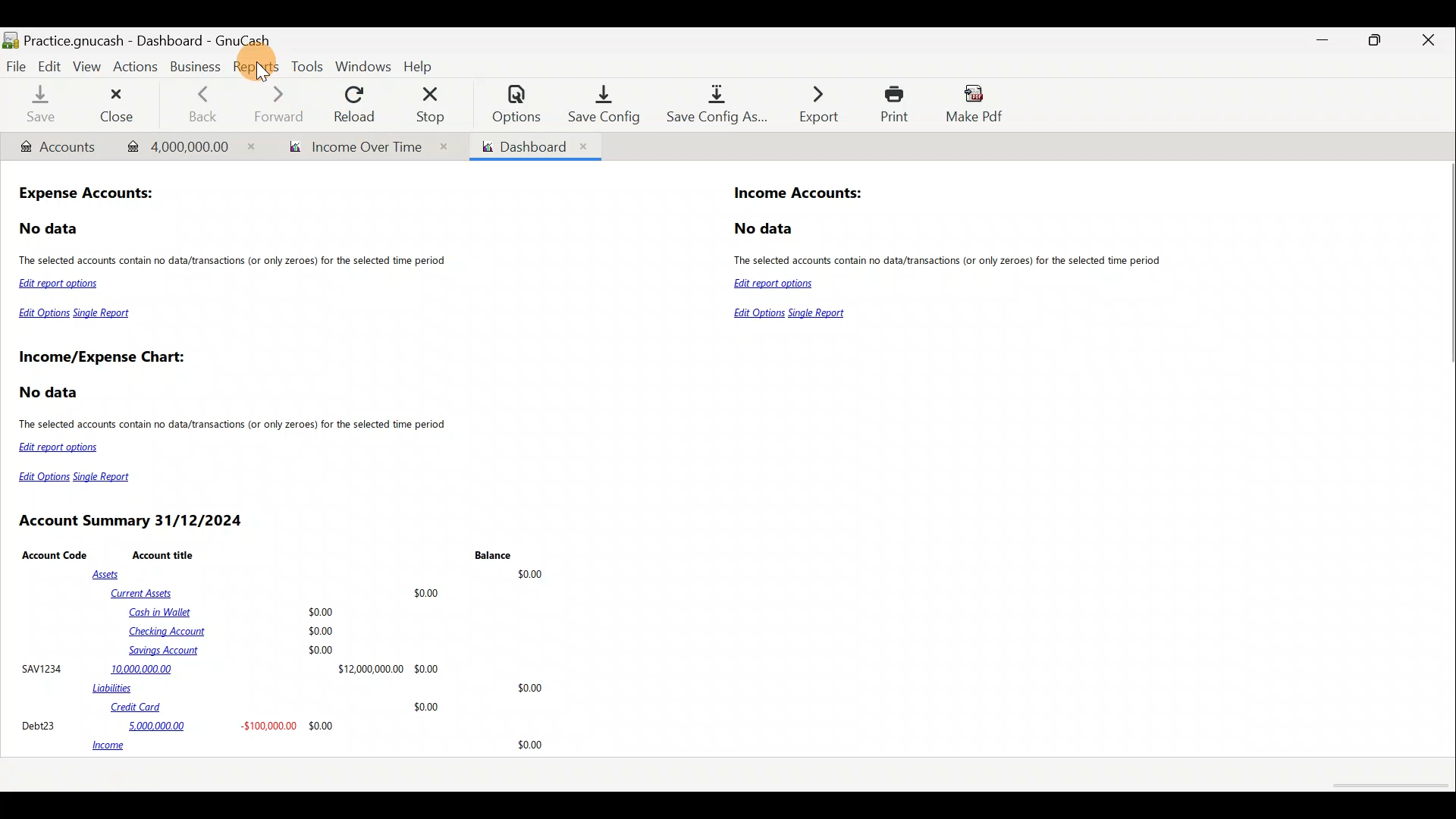 The height and width of the screenshot is (819, 1456). What do you see at coordinates (1378, 45) in the screenshot?
I see `Maximise` at bounding box center [1378, 45].